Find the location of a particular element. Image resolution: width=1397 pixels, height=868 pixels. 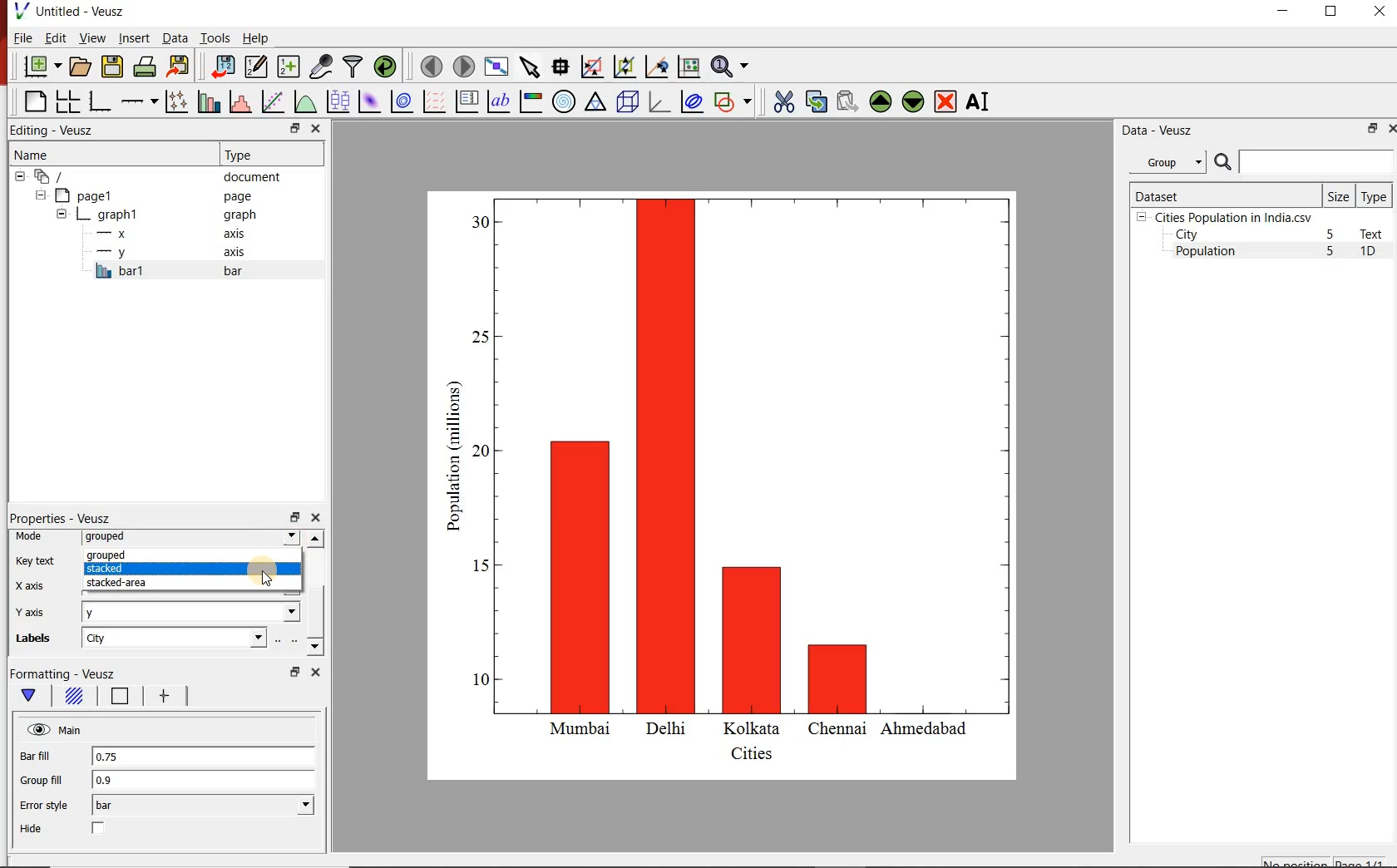

CLOSE is located at coordinates (1378, 13).